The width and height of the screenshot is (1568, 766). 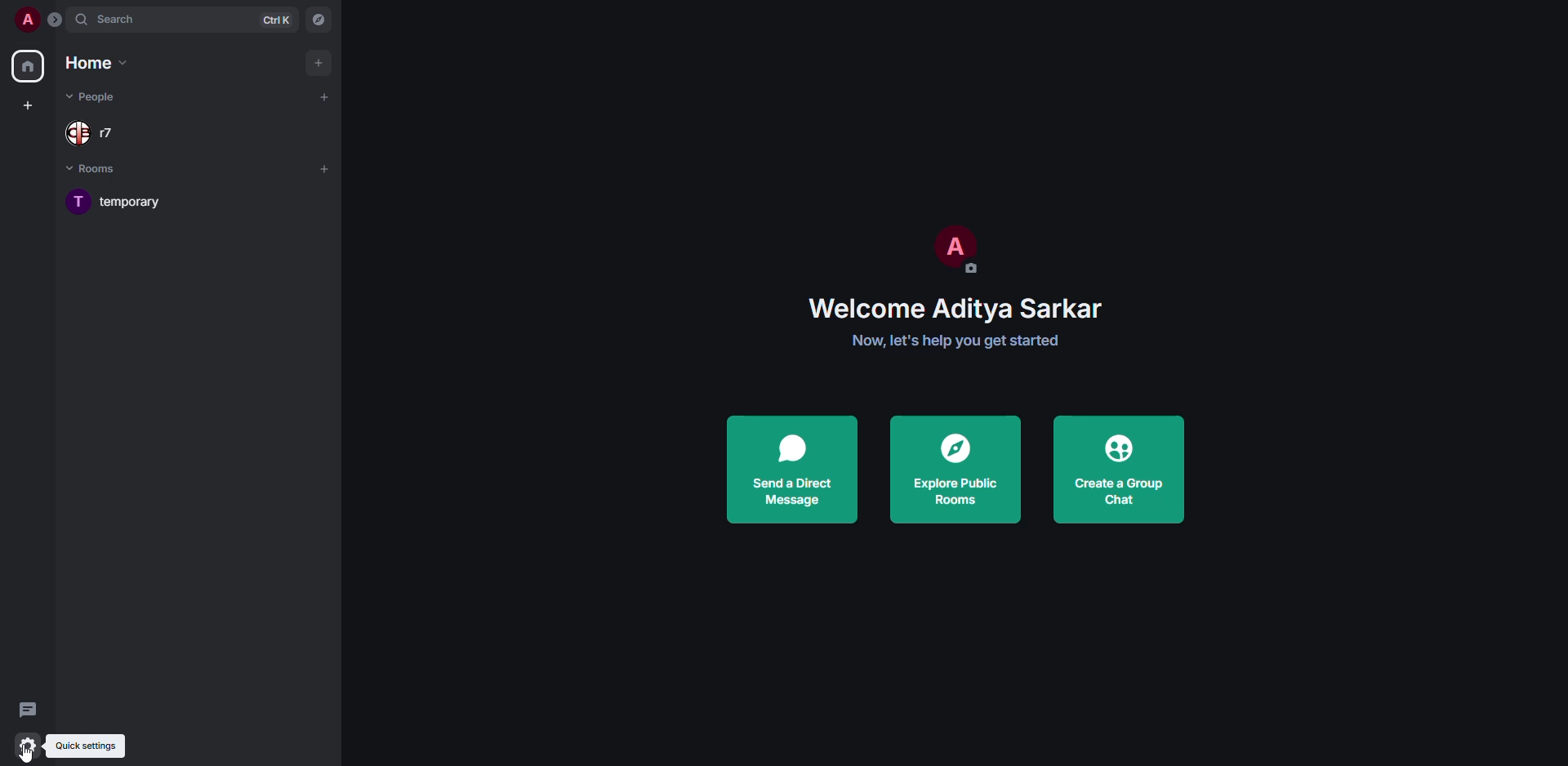 I want to click on add, so click(x=319, y=60).